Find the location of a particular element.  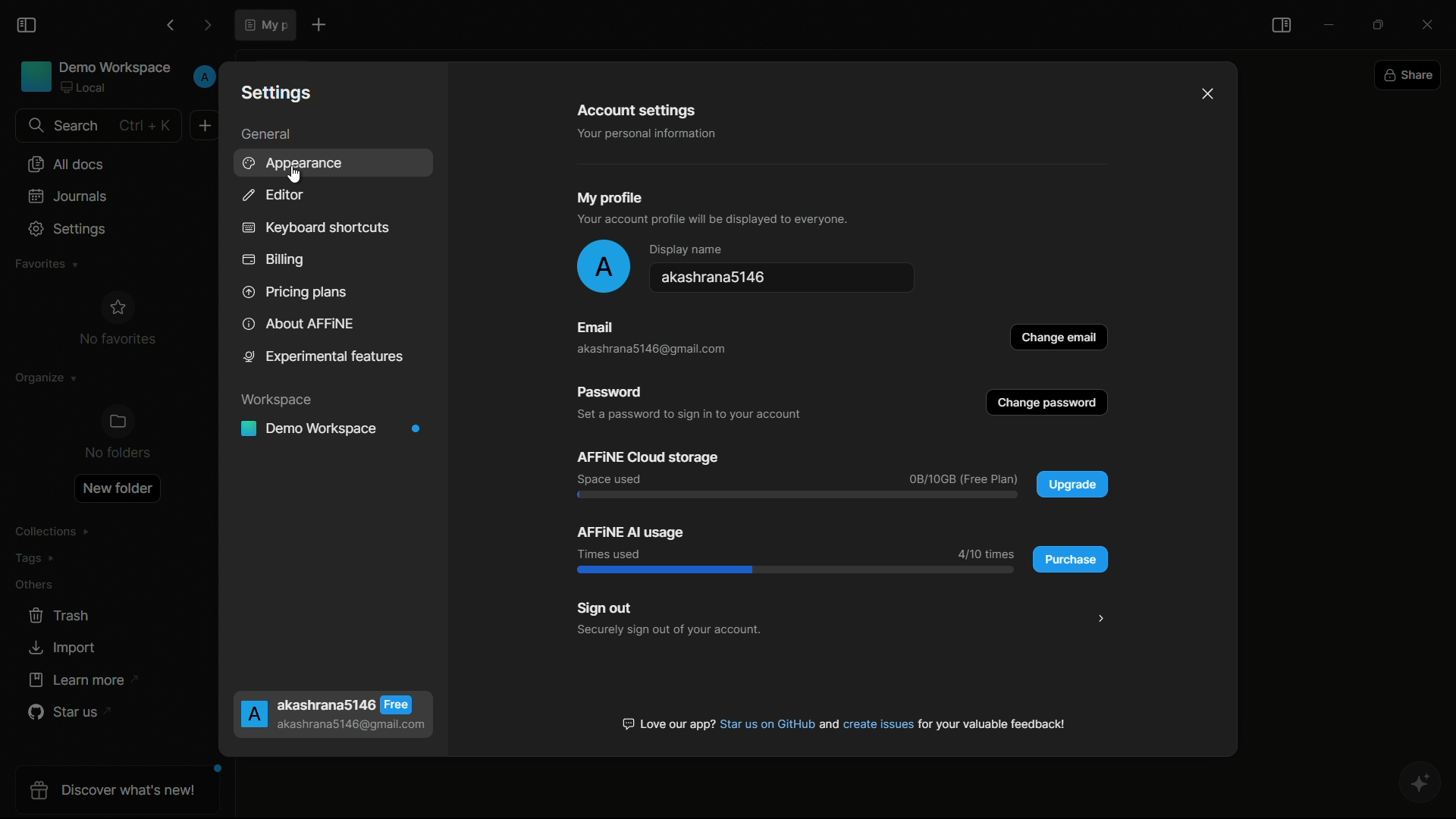

profile name is located at coordinates (788, 281).